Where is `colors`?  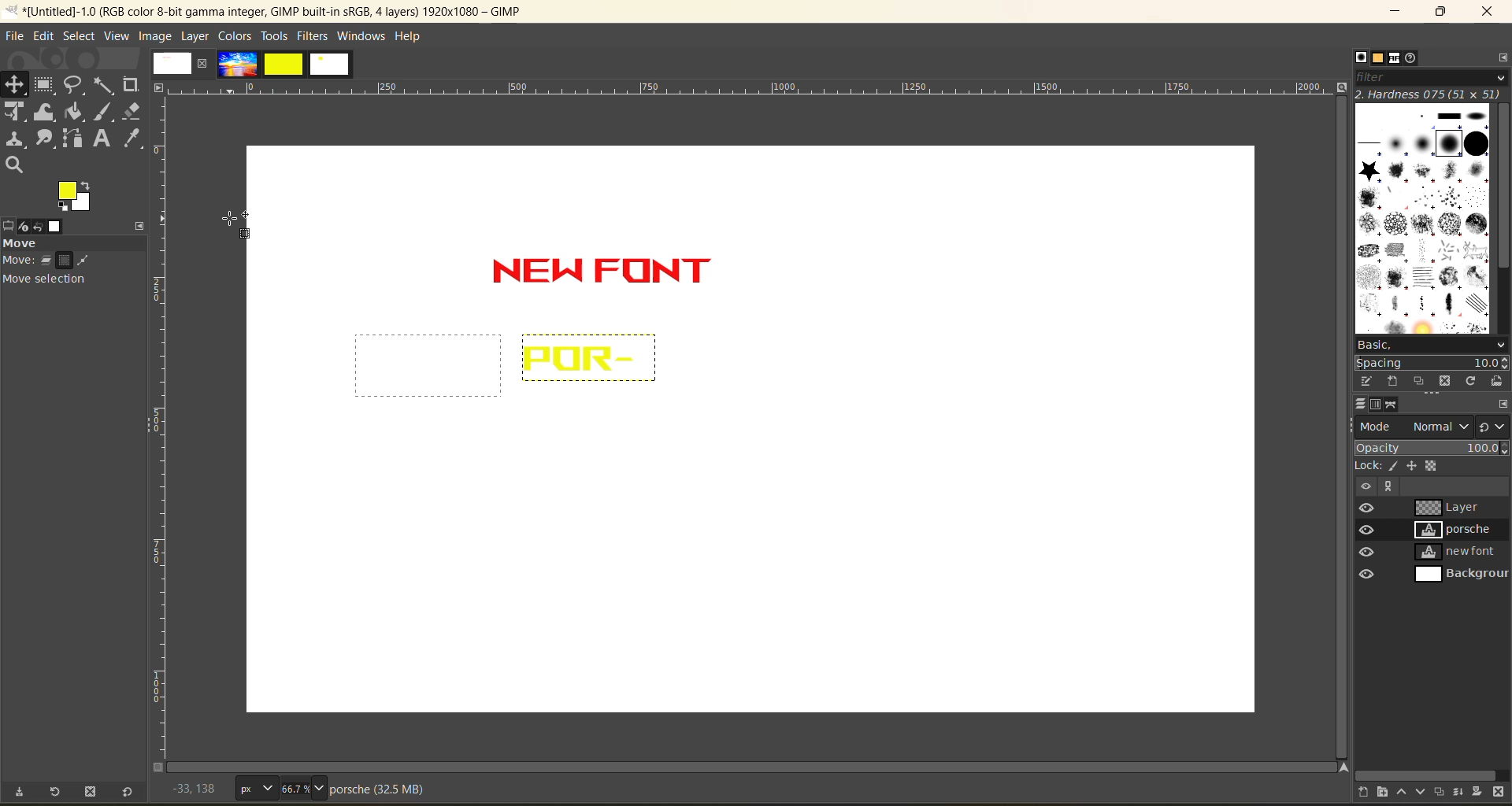 colors is located at coordinates (235, 37).